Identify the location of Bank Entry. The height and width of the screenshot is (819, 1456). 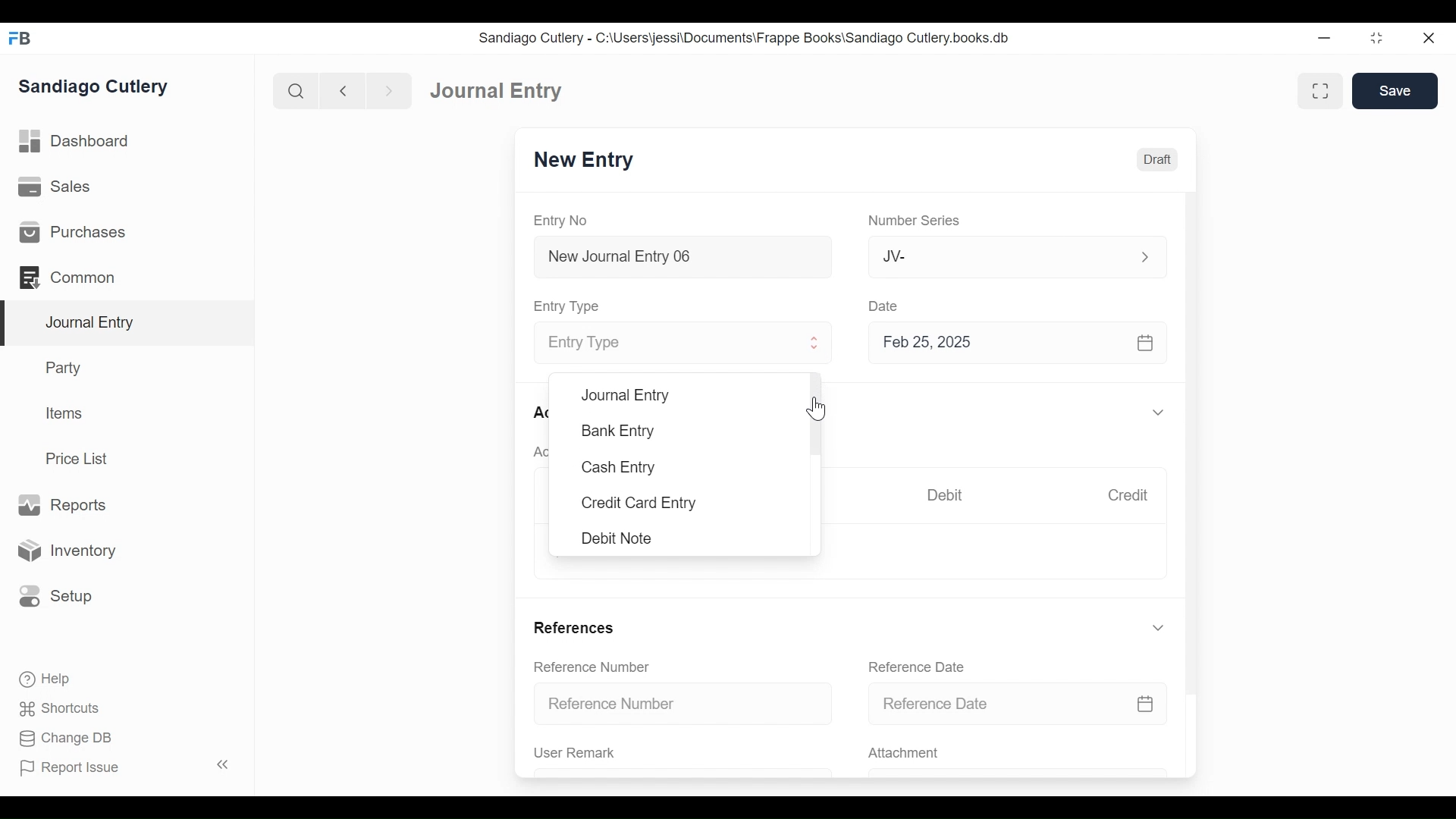
(620, 431).